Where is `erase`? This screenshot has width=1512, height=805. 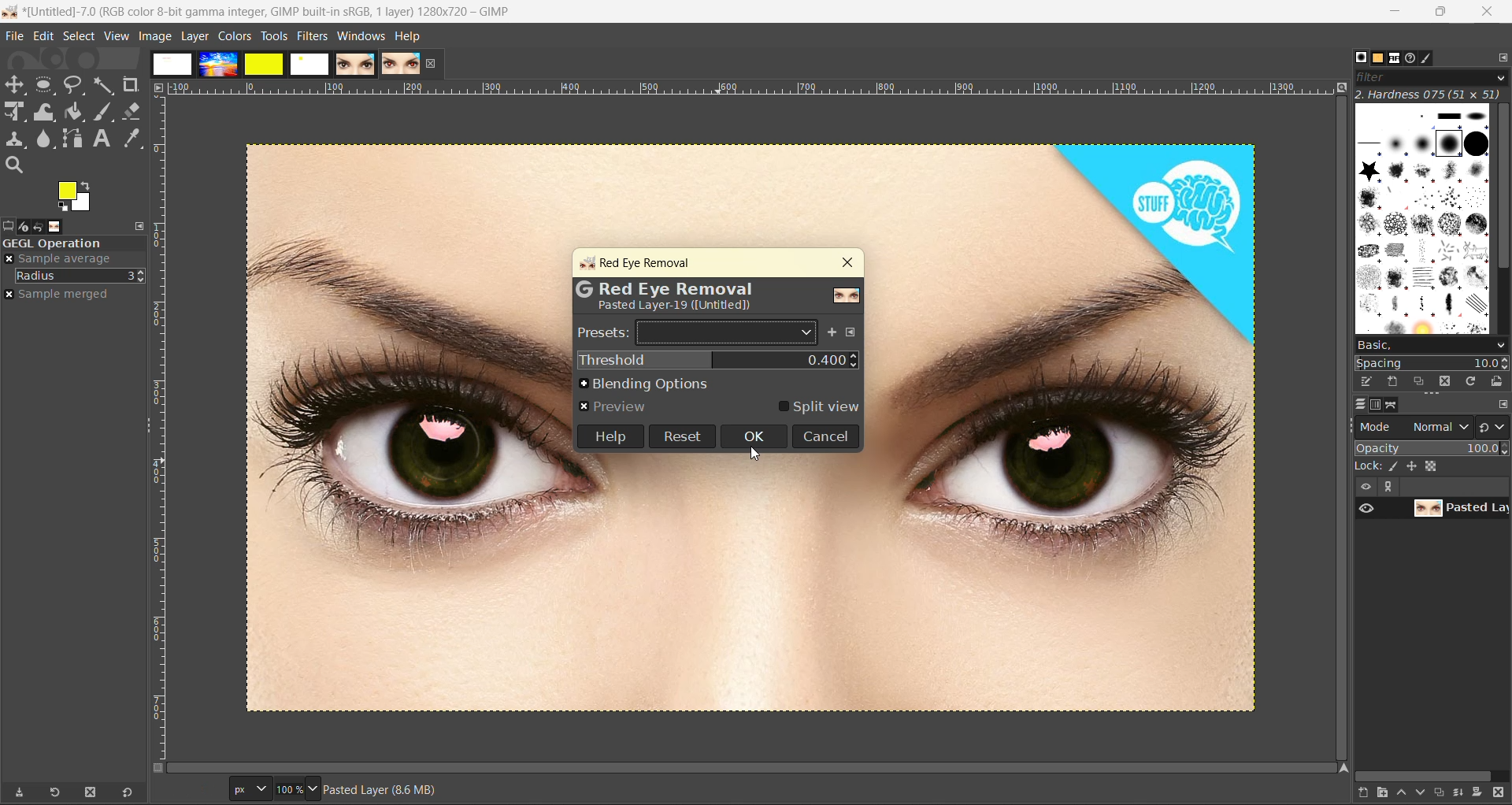 erase is located at coordinates (133, 111).